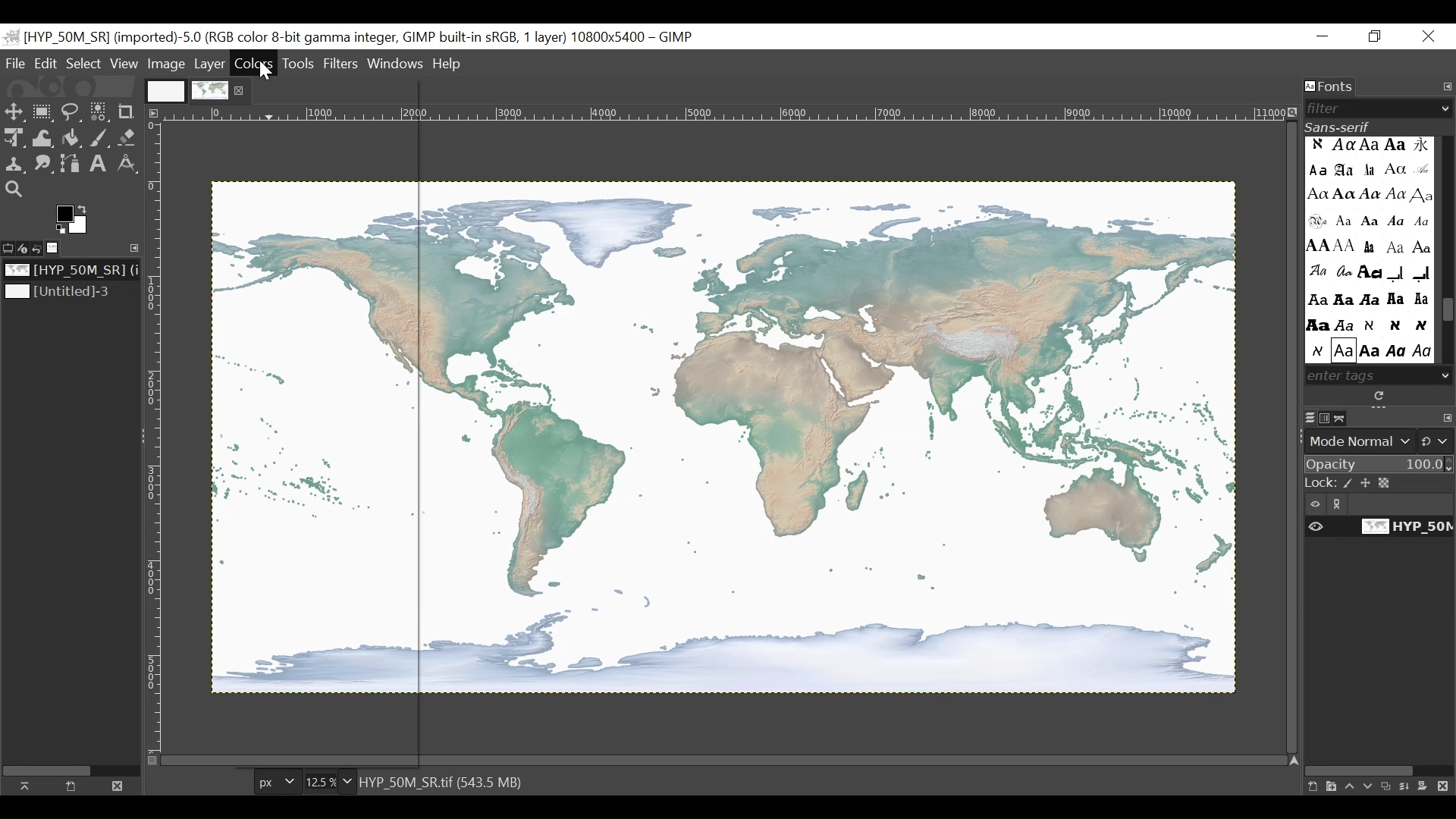  What do you see at coordinates (1375, 37) in the screenshot?
I see `Rsstore` at bounding box center [1375, 37].